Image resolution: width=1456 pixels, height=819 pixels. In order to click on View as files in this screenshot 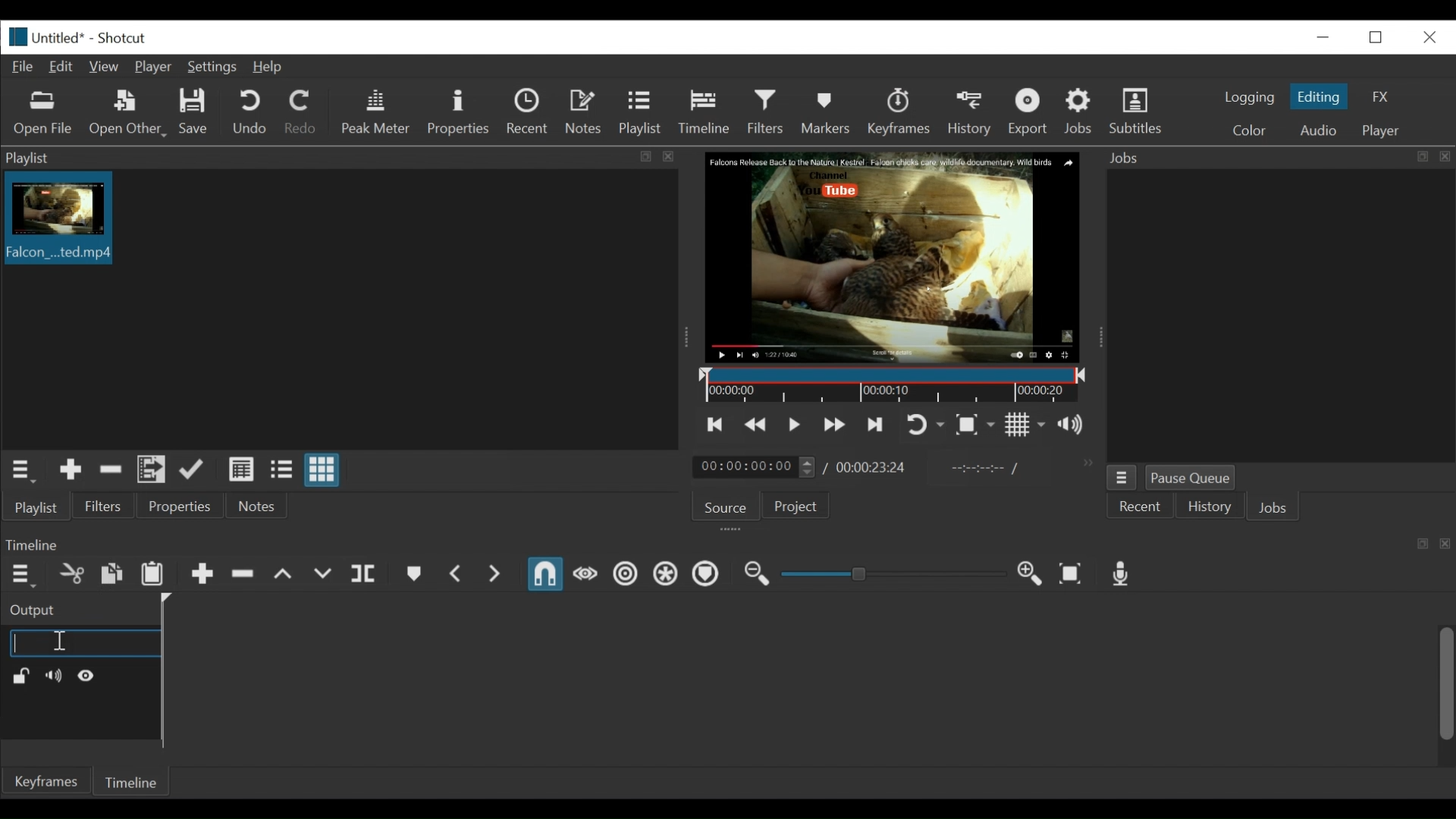, I will do `click(281, 471)`.